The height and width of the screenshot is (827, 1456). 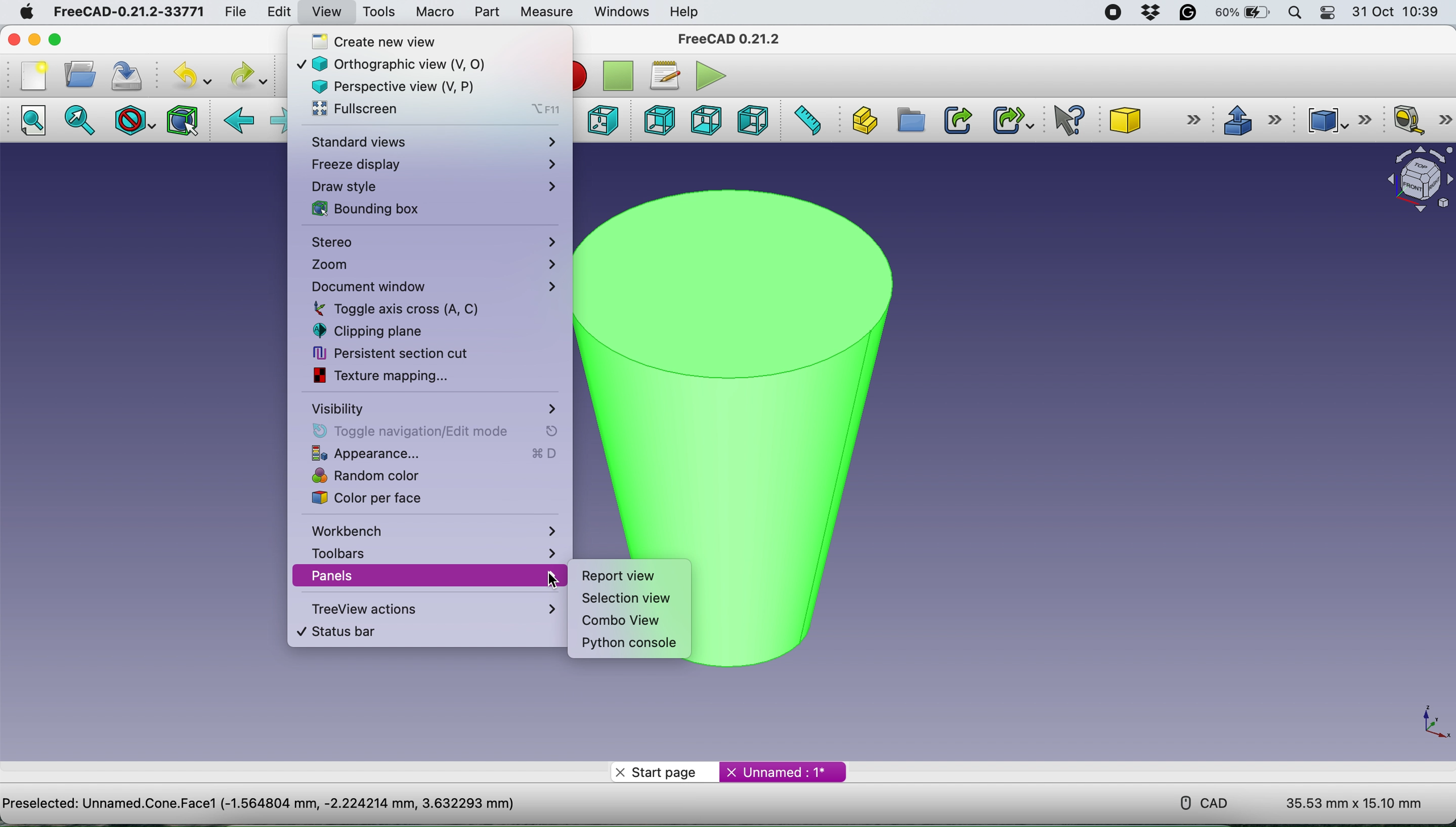 I want to click on measure distance, so click(x=808, y=121).